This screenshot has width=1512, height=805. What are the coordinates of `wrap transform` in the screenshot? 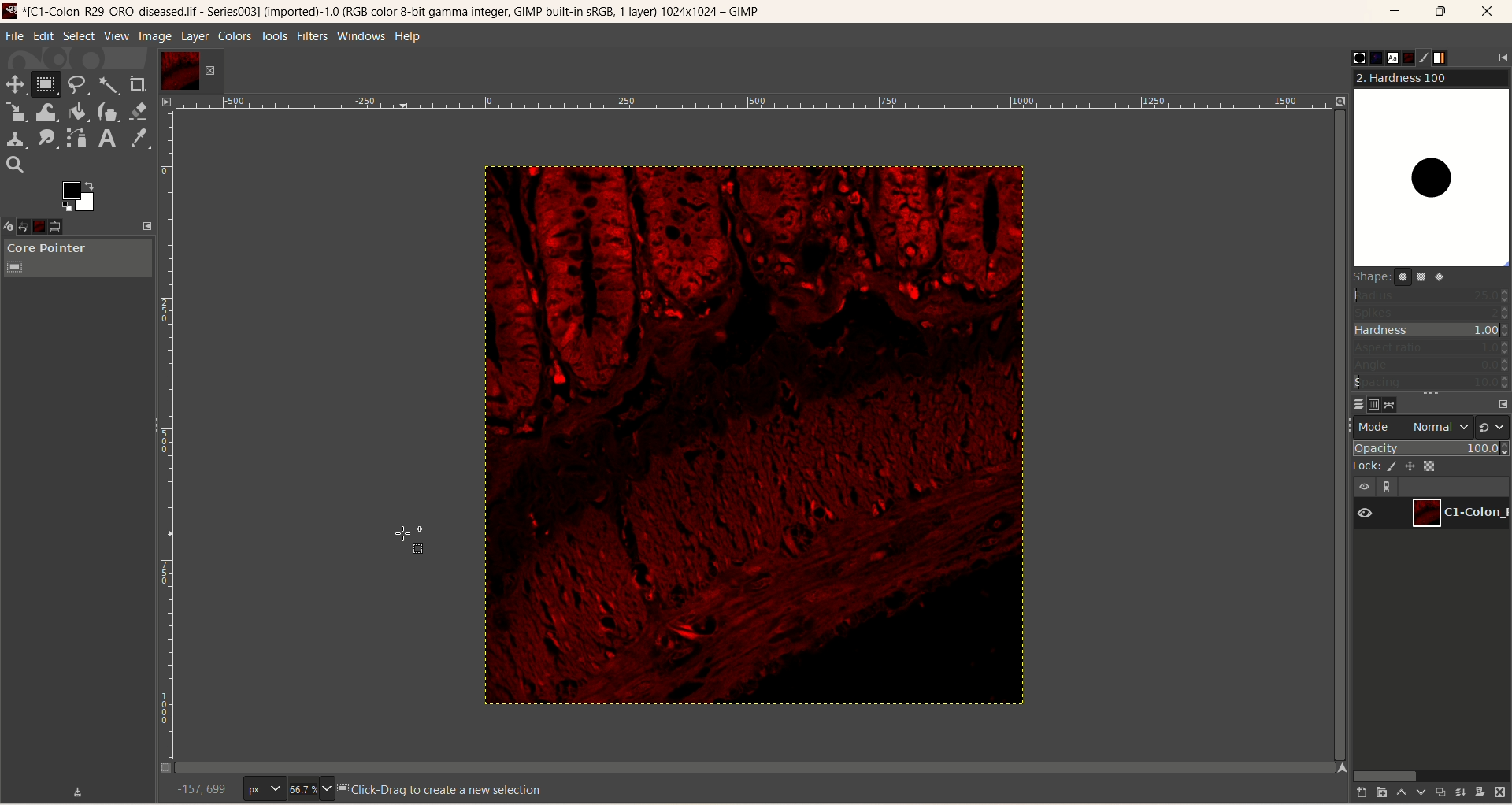 It's located at (45, 113).